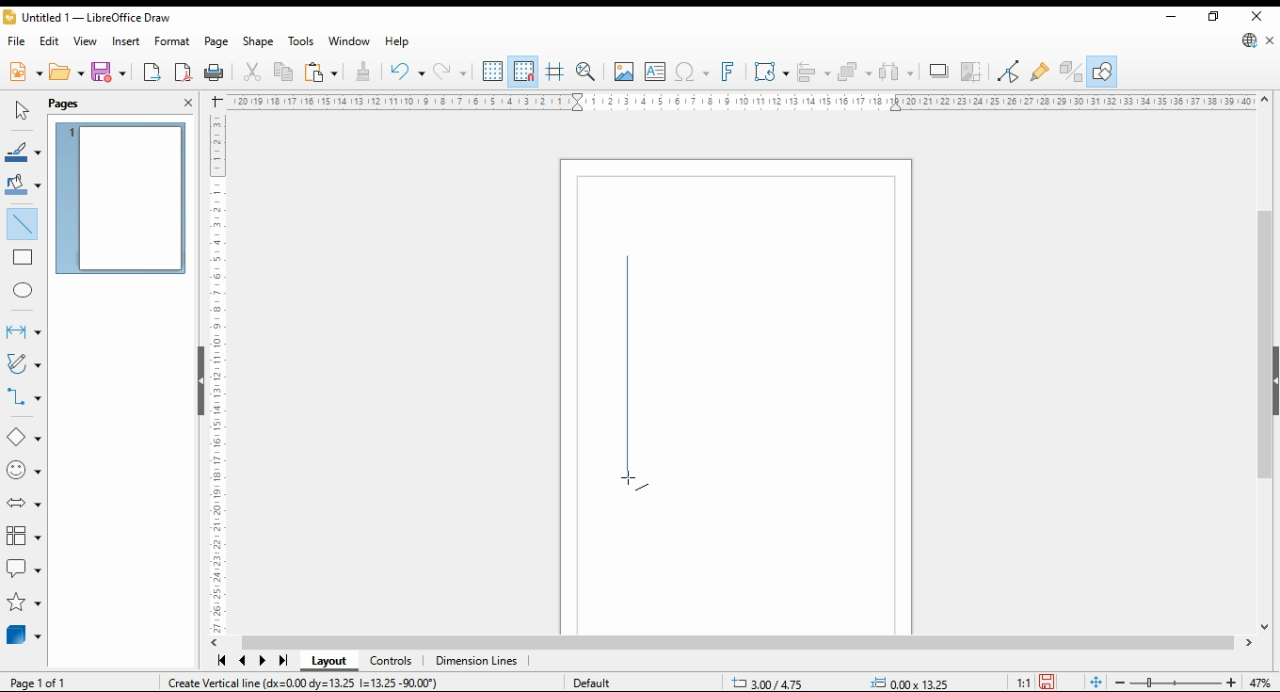 This screenshot has width=1280, height=692. Describe the element at coordinates (1094, 679) in the screenshot. I see `fit document to window` at that location.